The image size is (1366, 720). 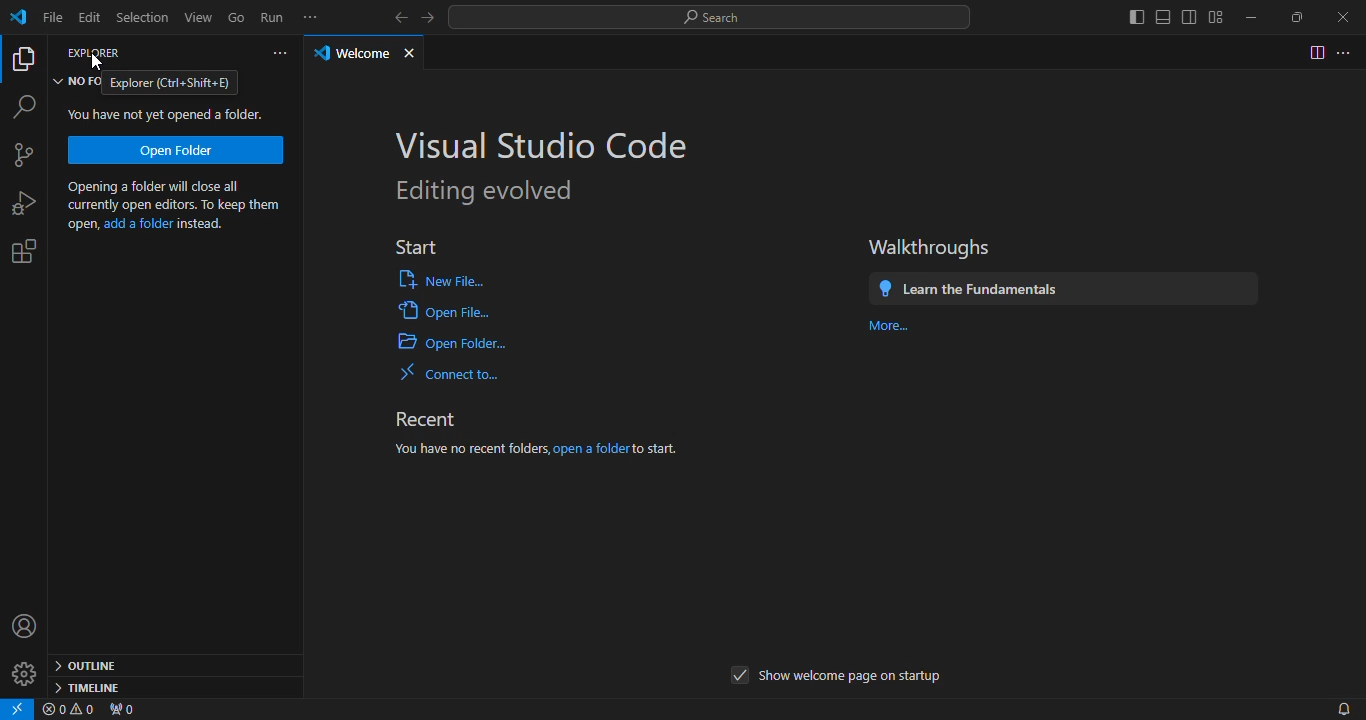 What do you see at coordinates (90, 663) in the screenshot?
I see `outline` at bounding box center [90, 663].